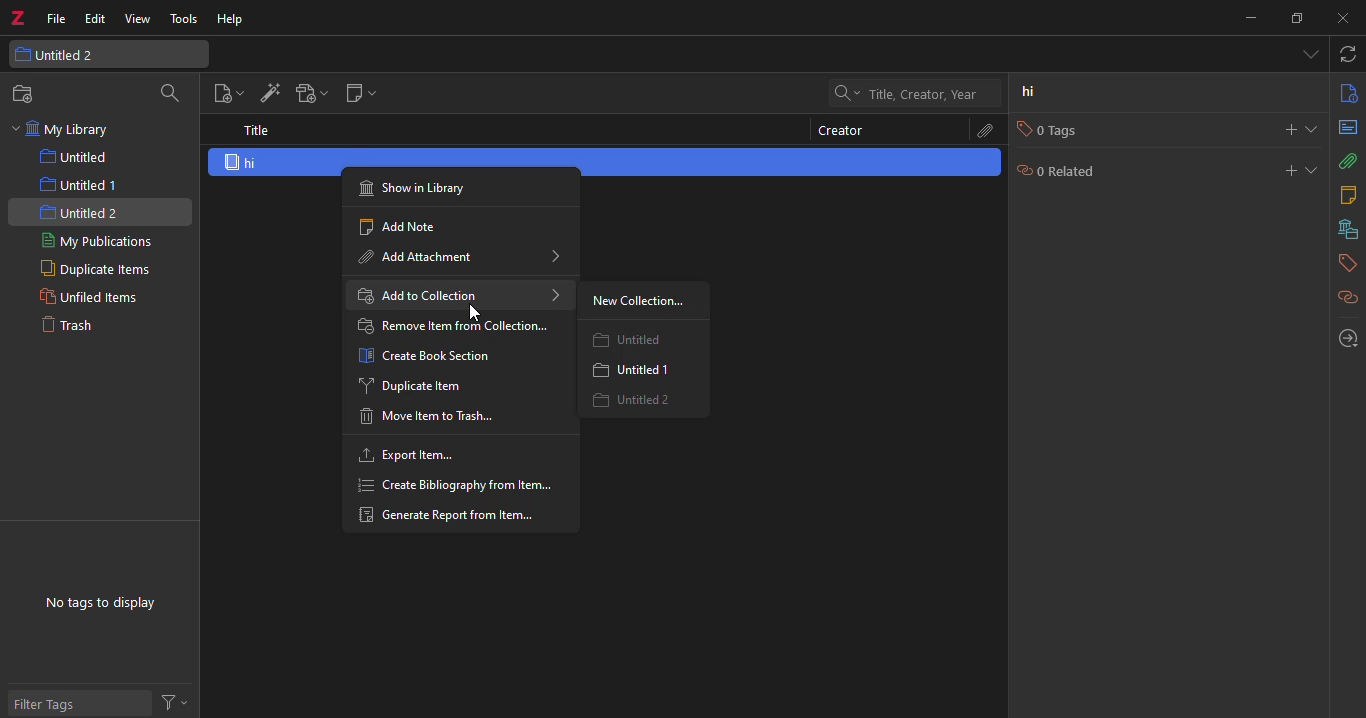 This screenshot has height=718, width=1366. I want to click on my publications, so click(95, 241).